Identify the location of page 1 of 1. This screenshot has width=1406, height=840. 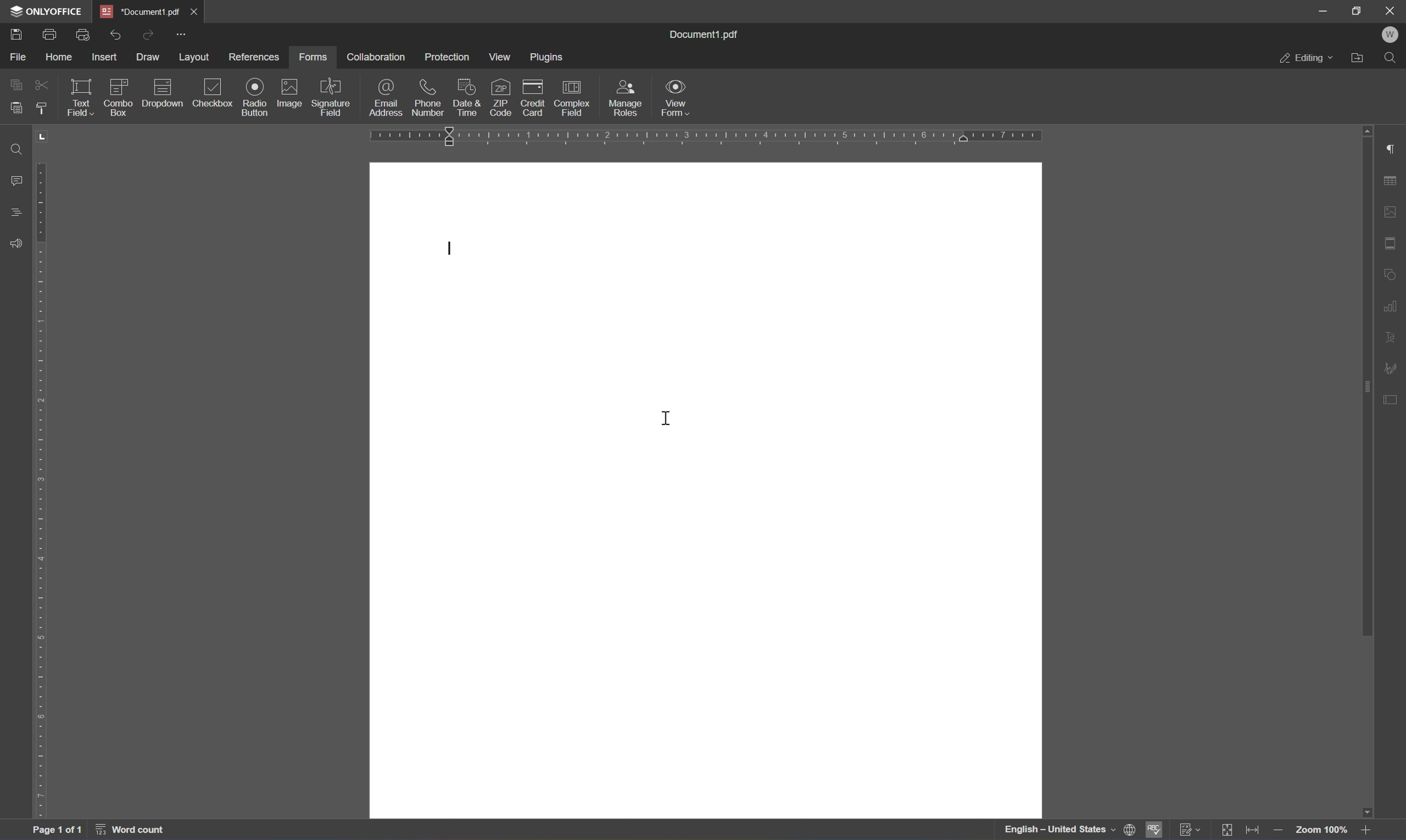
(57, 831).